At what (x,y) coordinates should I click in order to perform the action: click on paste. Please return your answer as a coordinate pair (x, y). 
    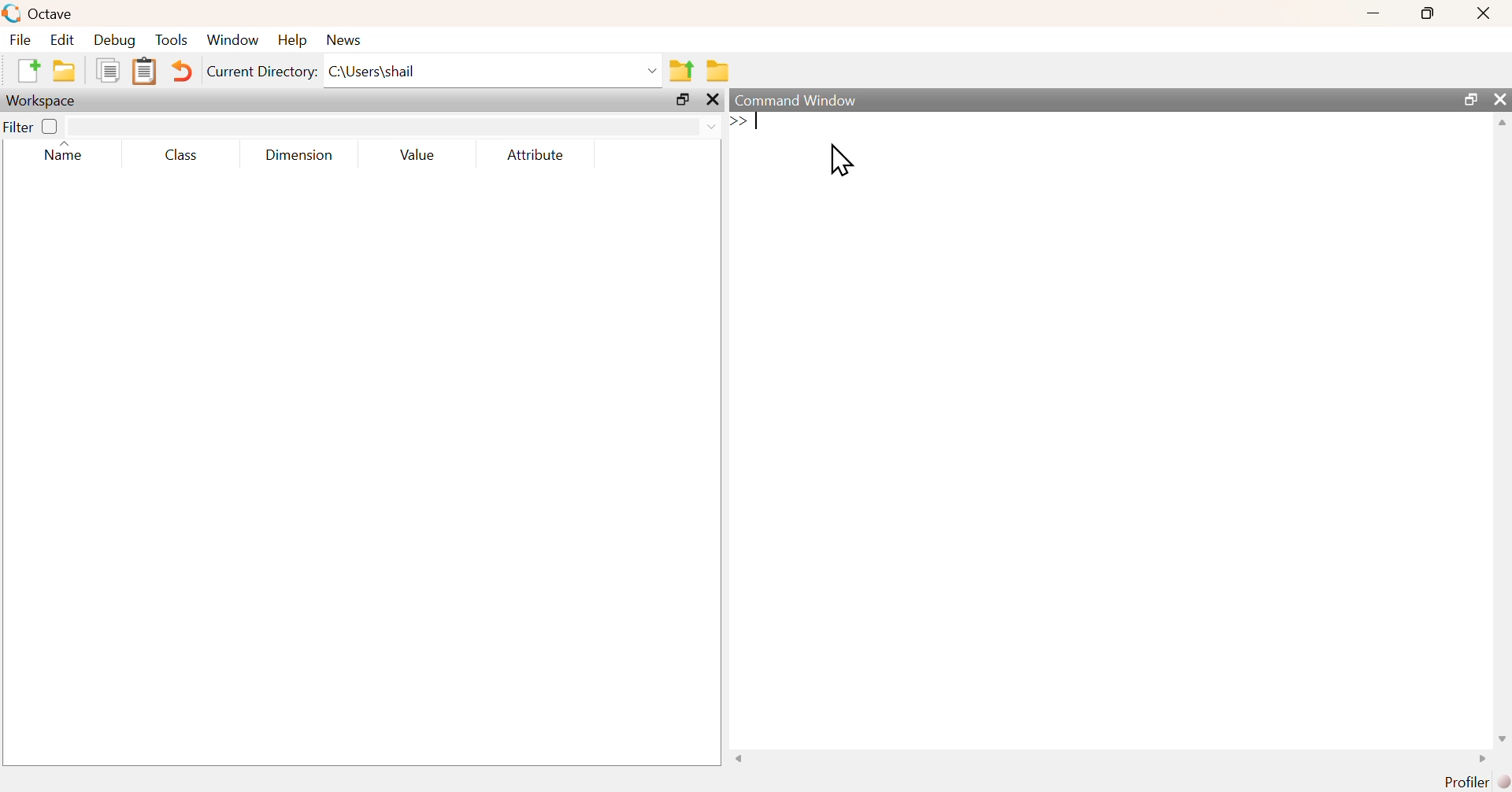
    Looking at the image, I should click on (146, 72).